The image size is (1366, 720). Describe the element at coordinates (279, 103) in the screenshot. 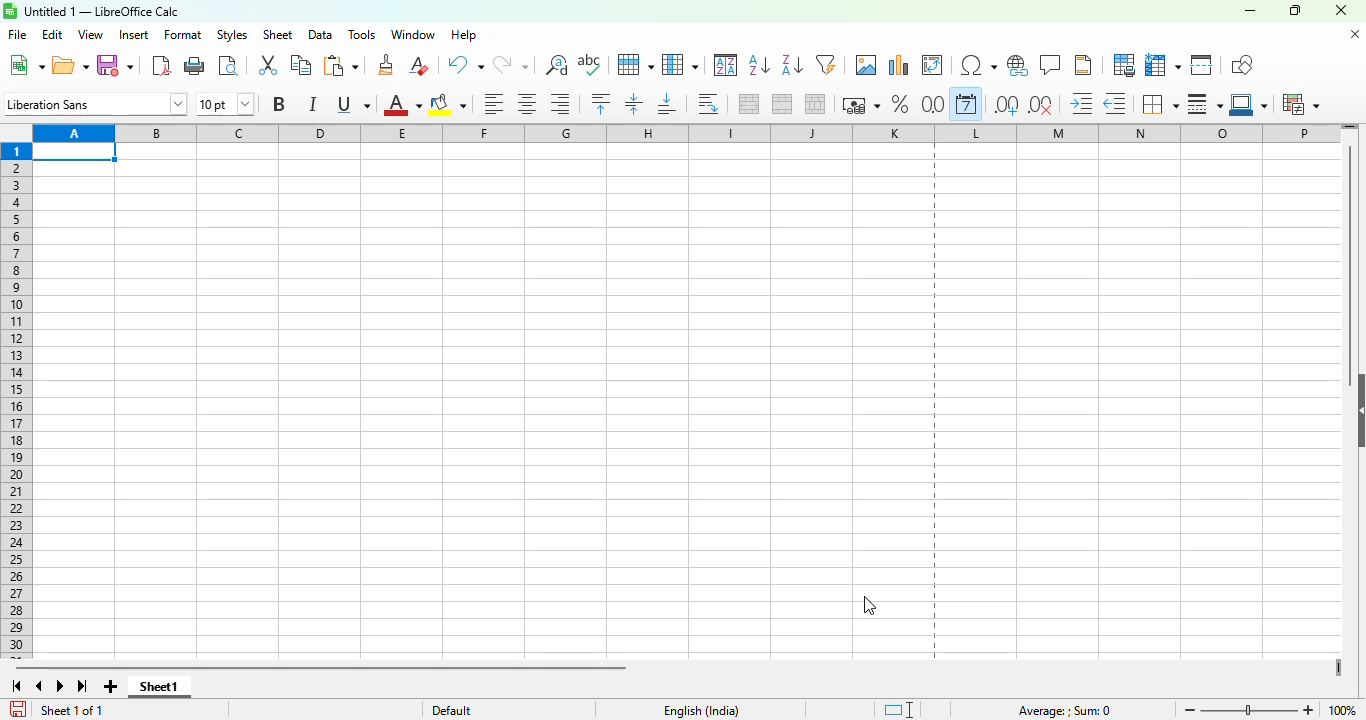

I see `bold` at that location.